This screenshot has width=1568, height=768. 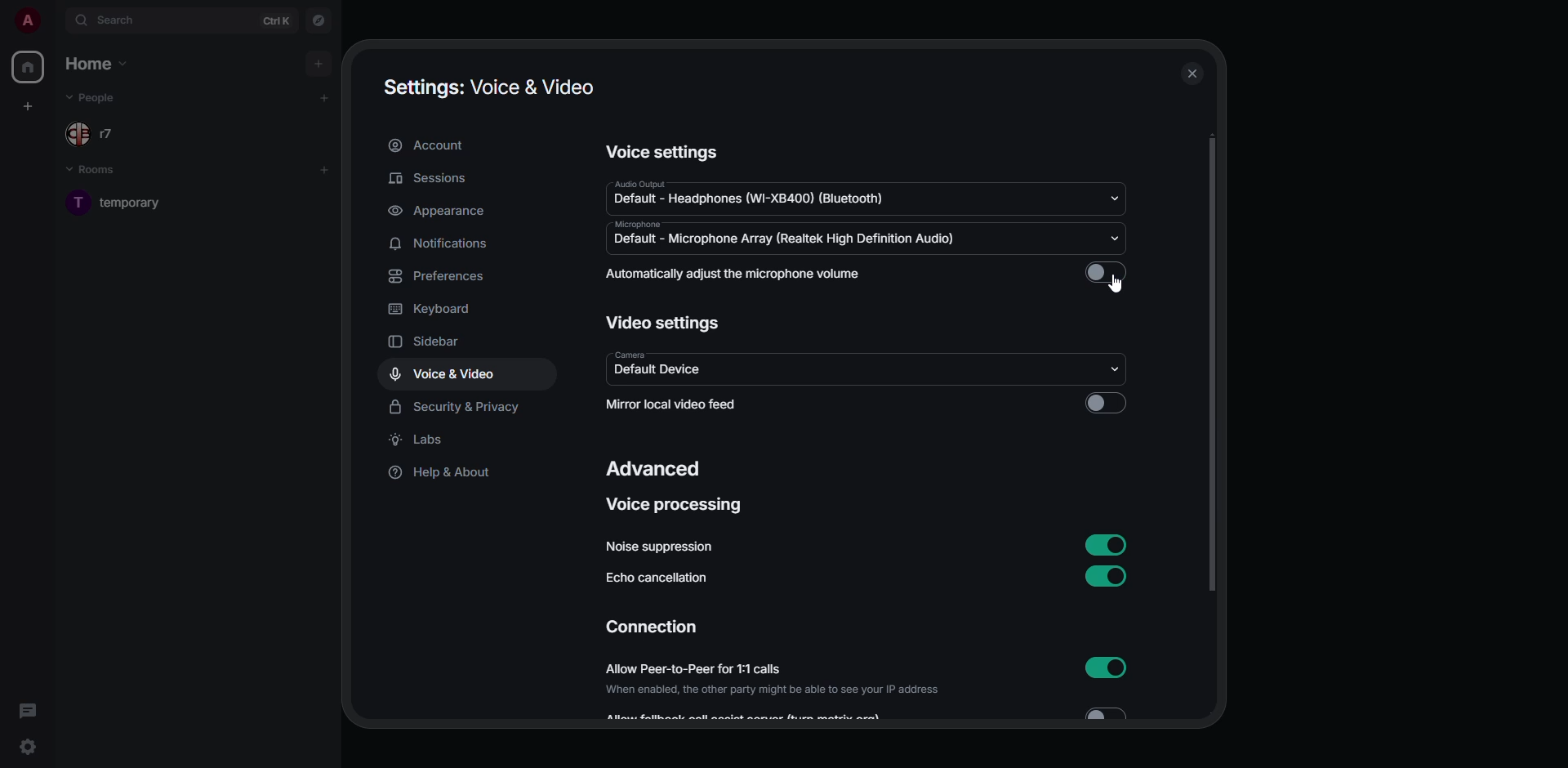 I want to click on advanced, so click(x=655, y=467).